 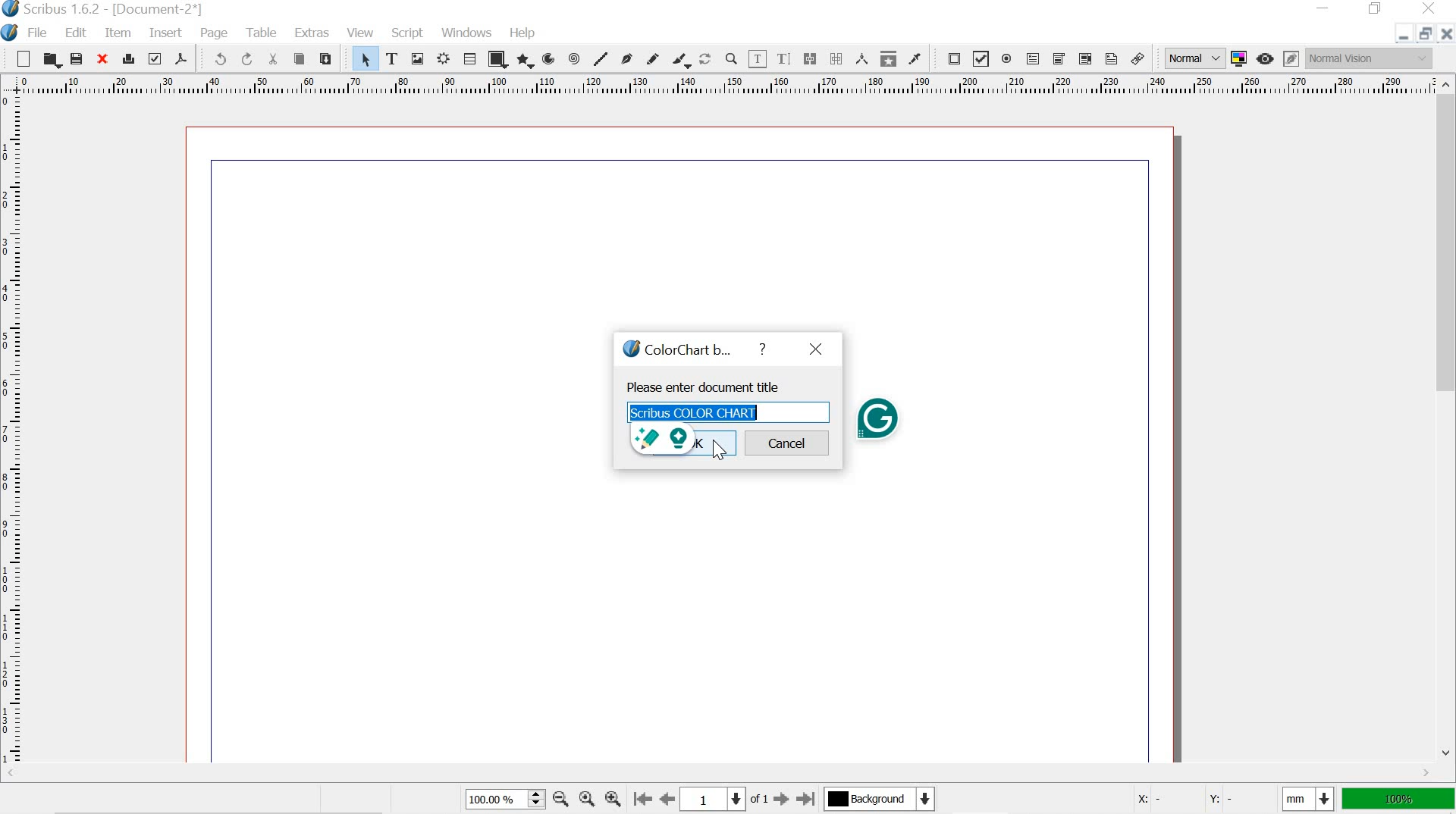 I want to click on arc, so click(x=551, y=58).